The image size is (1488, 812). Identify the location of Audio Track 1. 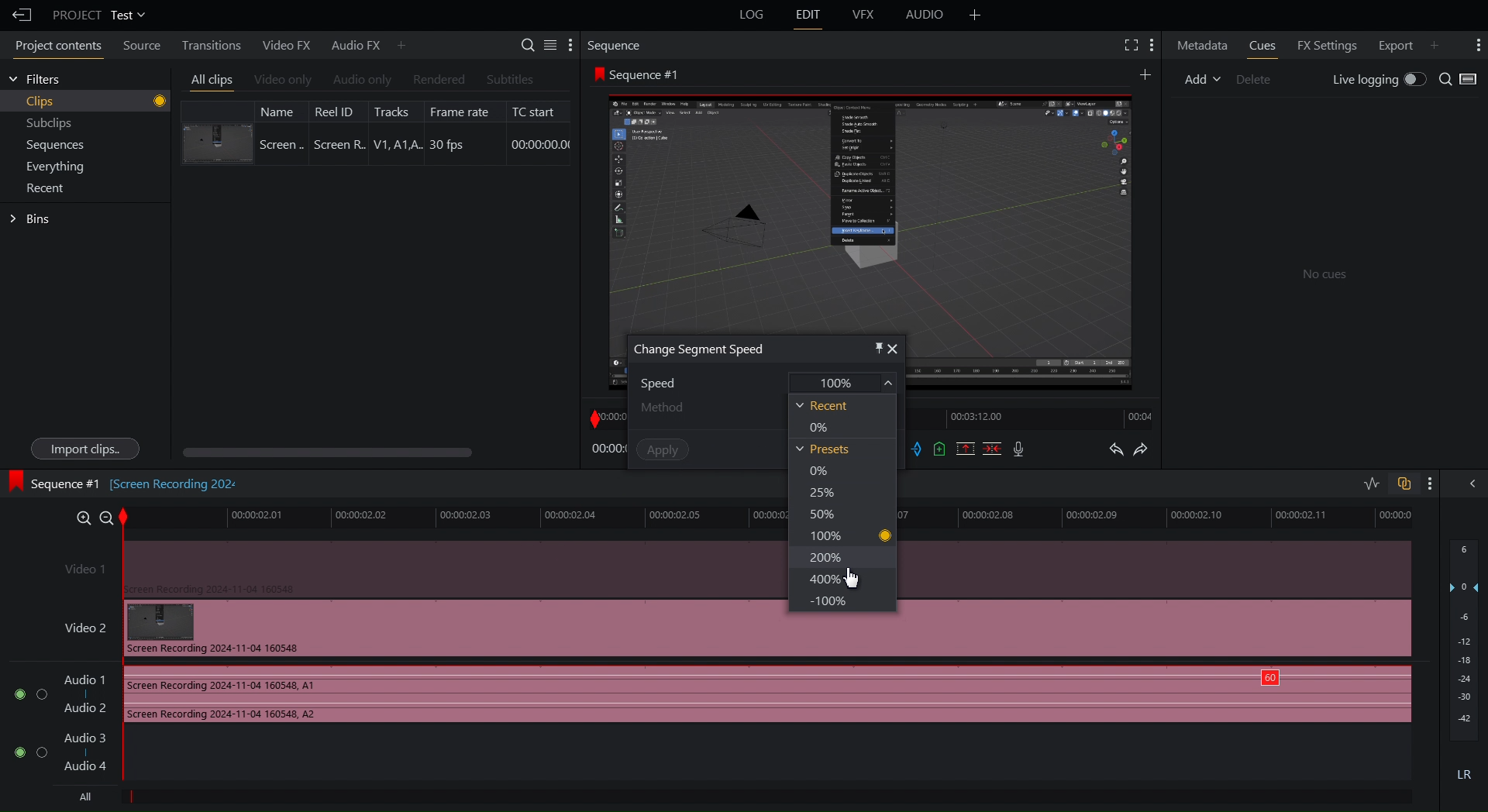
(706, 696).